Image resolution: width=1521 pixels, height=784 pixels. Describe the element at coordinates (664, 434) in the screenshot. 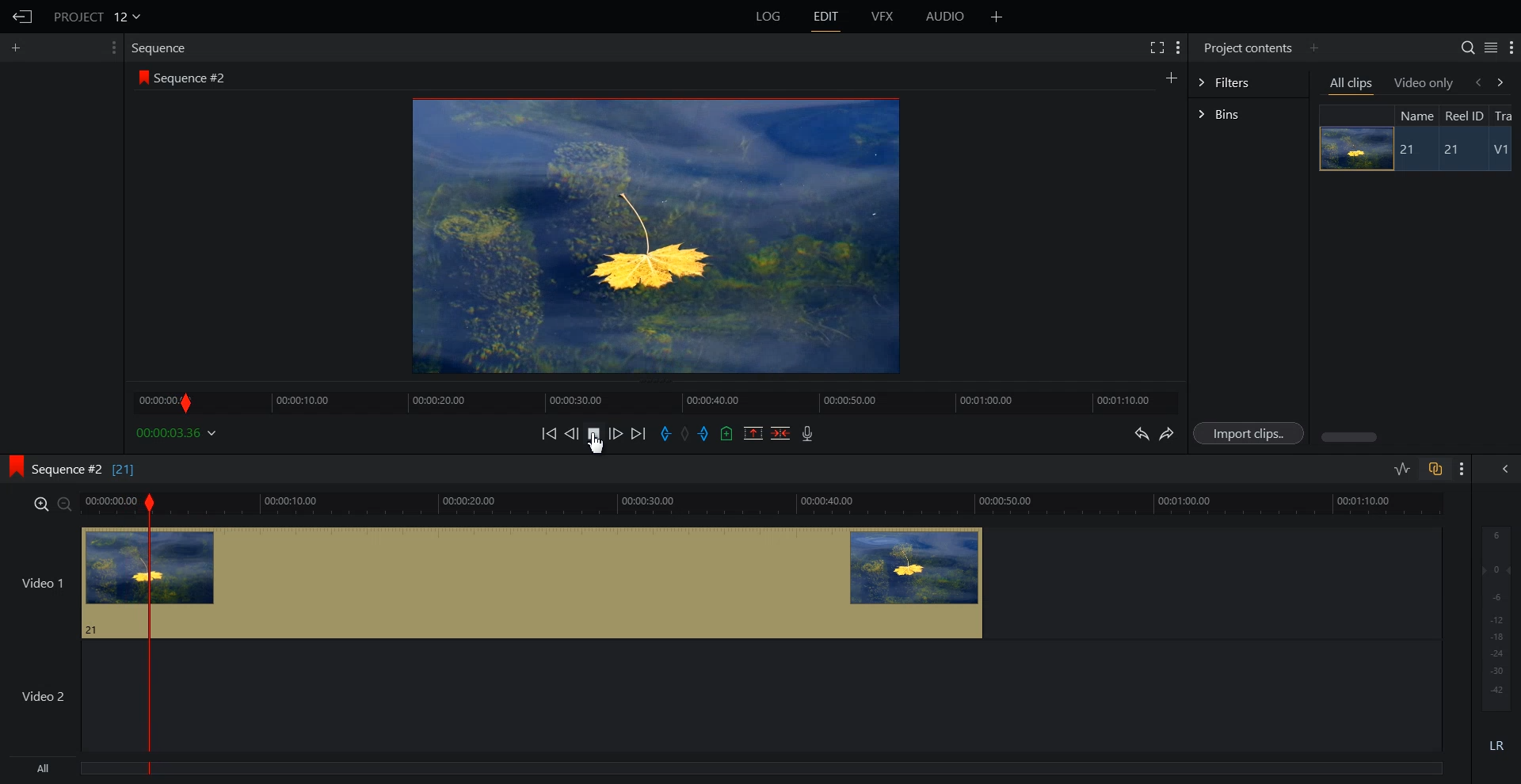

I see `Add an in Mark in current position` at that location.